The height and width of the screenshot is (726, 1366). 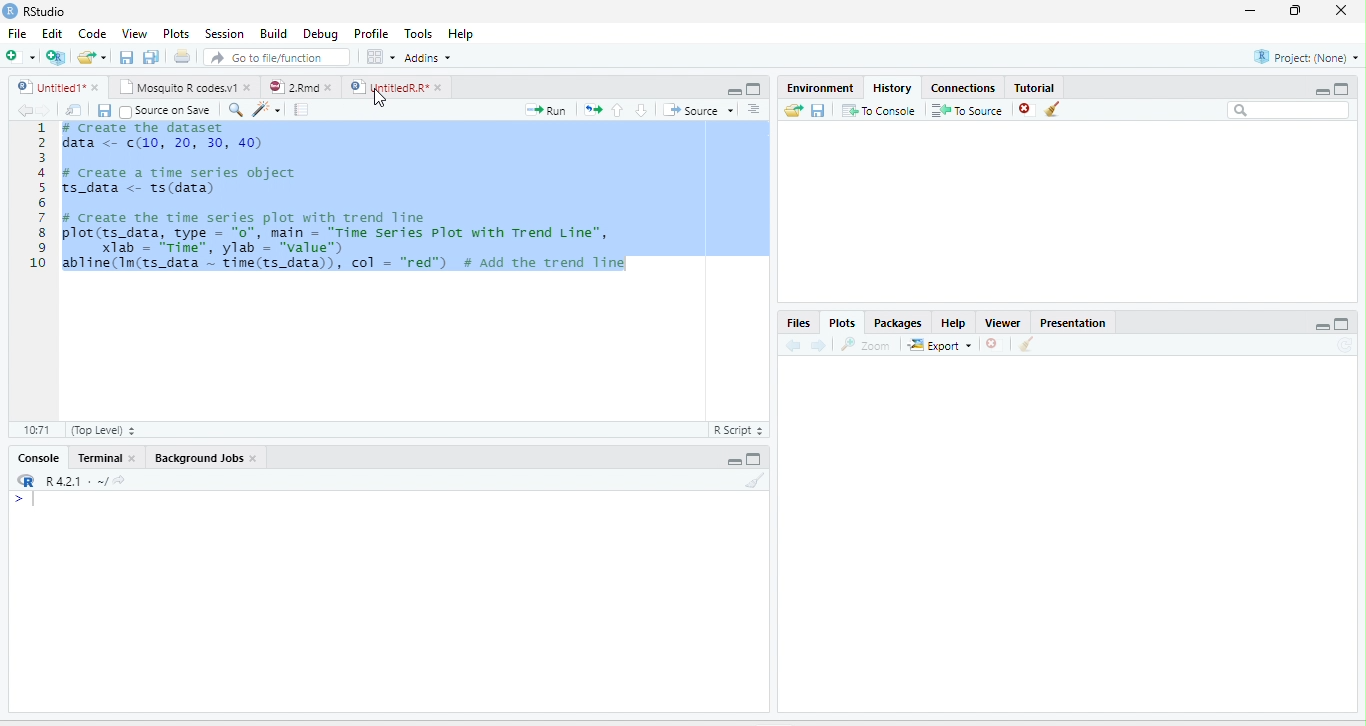 What do you see at coordinates (165, 110) in the screenshot?
I see `Source on Save` at bounding box center [165, 110].